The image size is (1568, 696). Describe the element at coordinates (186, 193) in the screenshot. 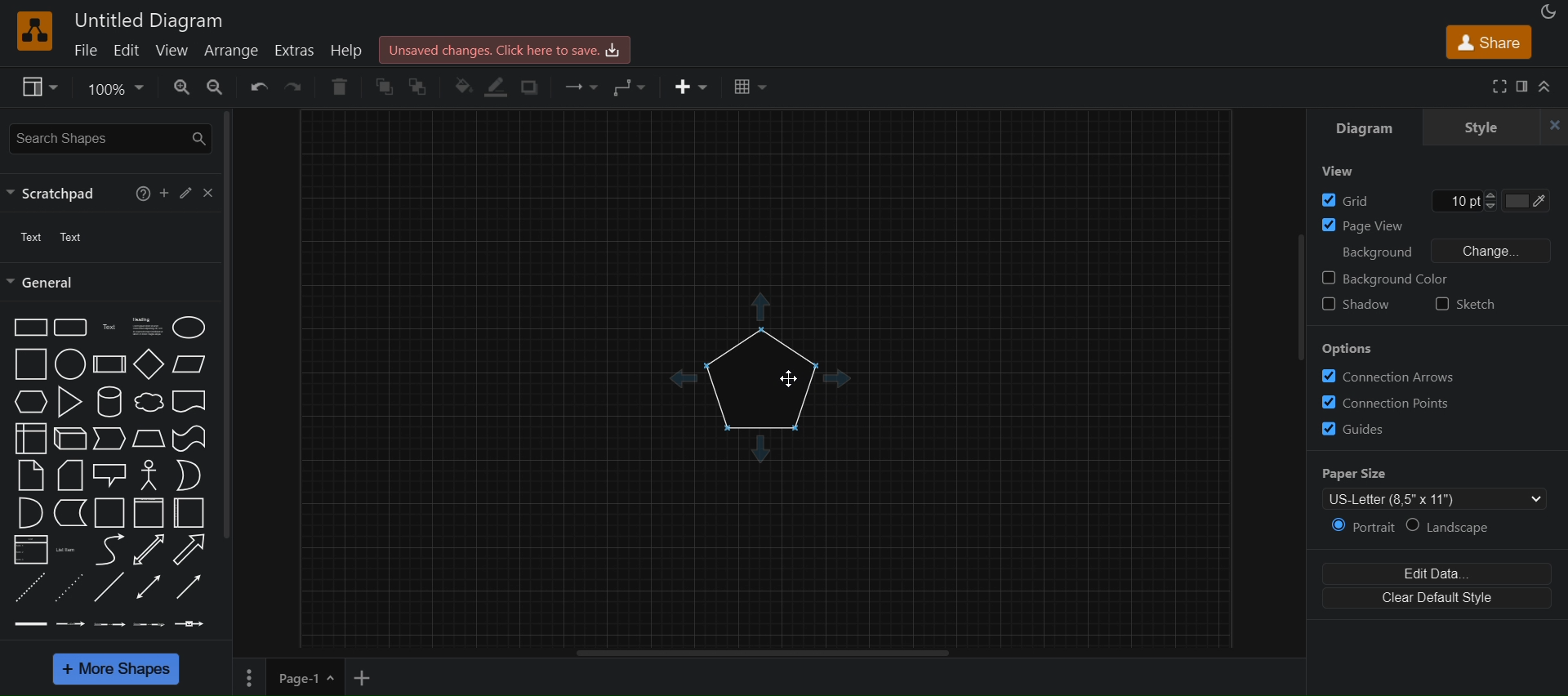

I see `edit` at that location.